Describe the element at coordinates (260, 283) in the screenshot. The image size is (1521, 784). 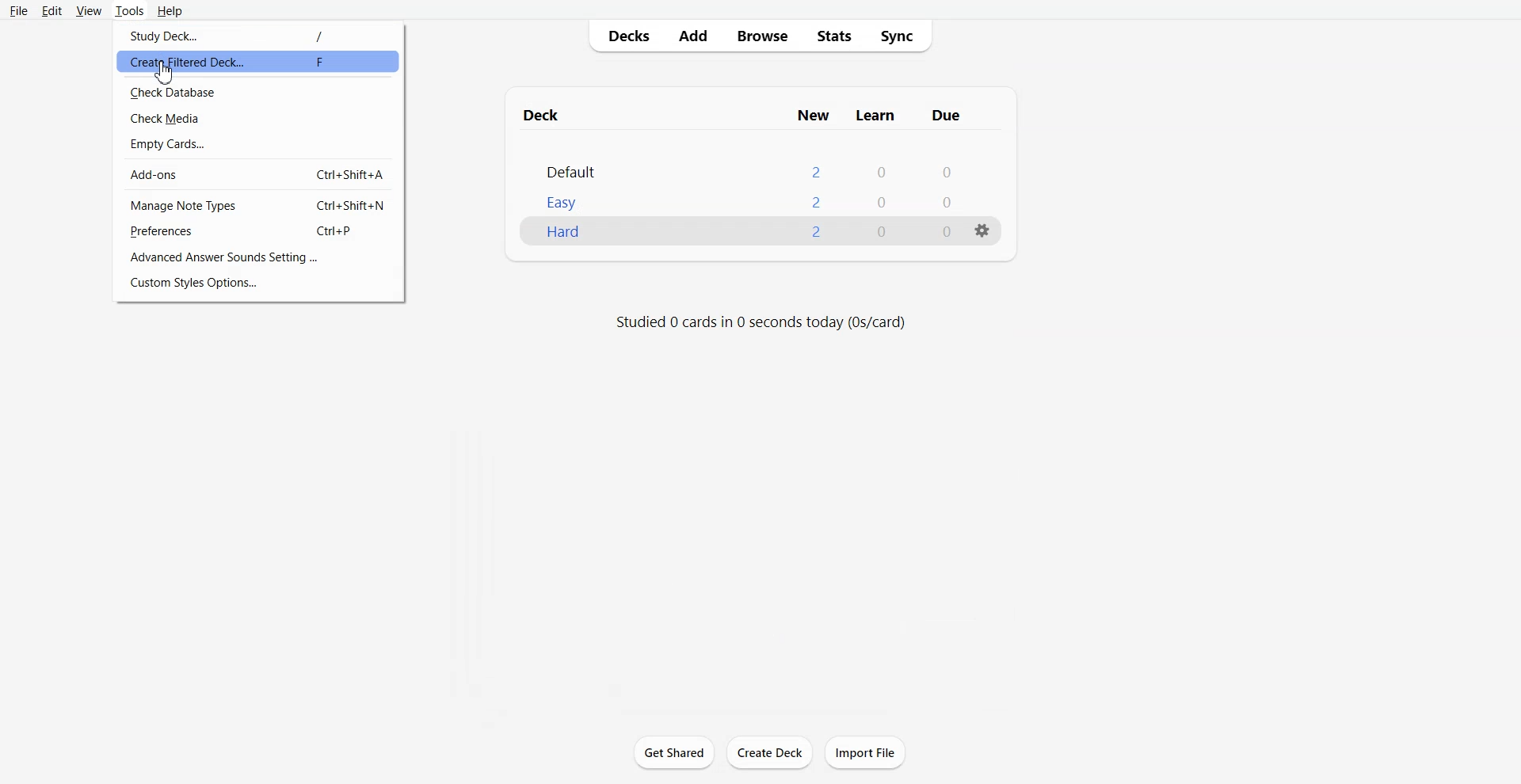
I see `Custom Style Options` at that location.